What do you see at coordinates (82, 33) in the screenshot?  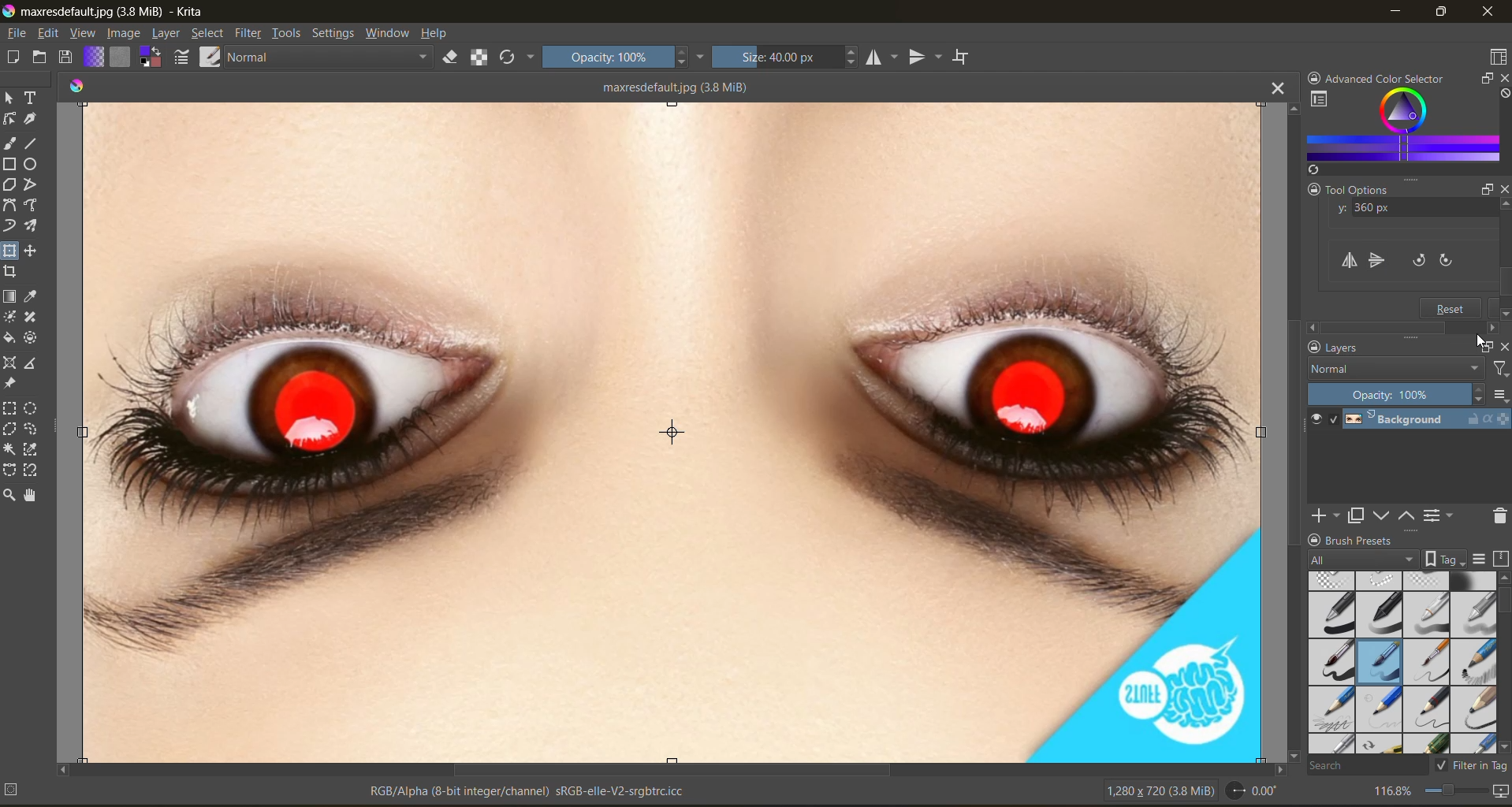 I see `view` at bounding box center [82, 33].